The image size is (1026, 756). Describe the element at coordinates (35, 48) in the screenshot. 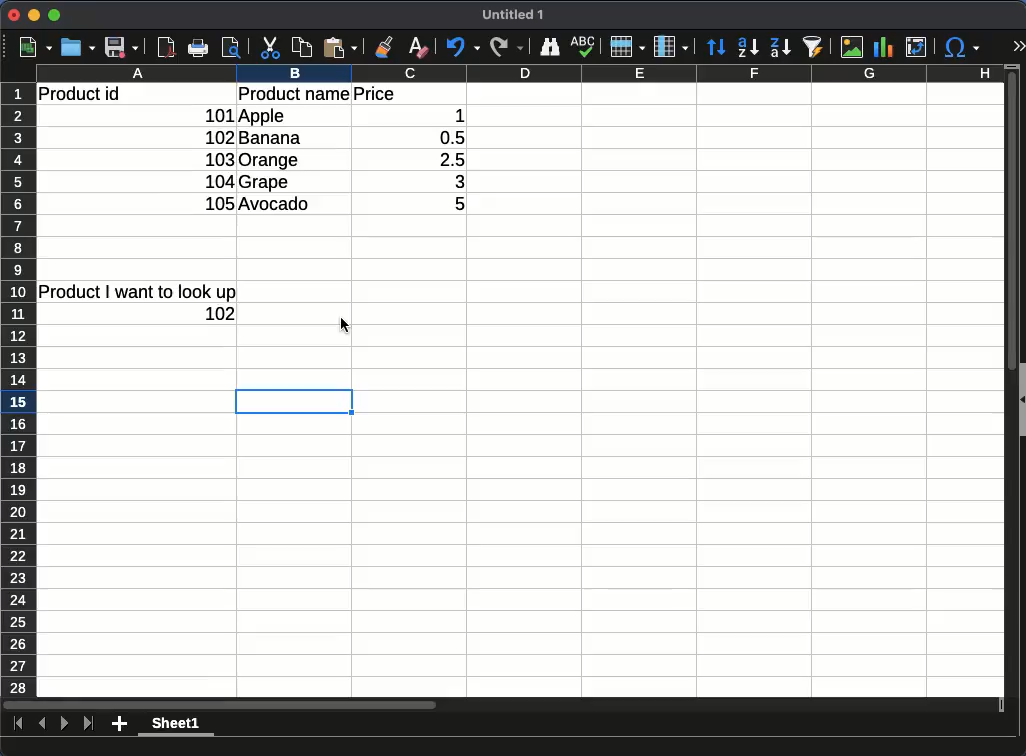

I see `new` at that location.